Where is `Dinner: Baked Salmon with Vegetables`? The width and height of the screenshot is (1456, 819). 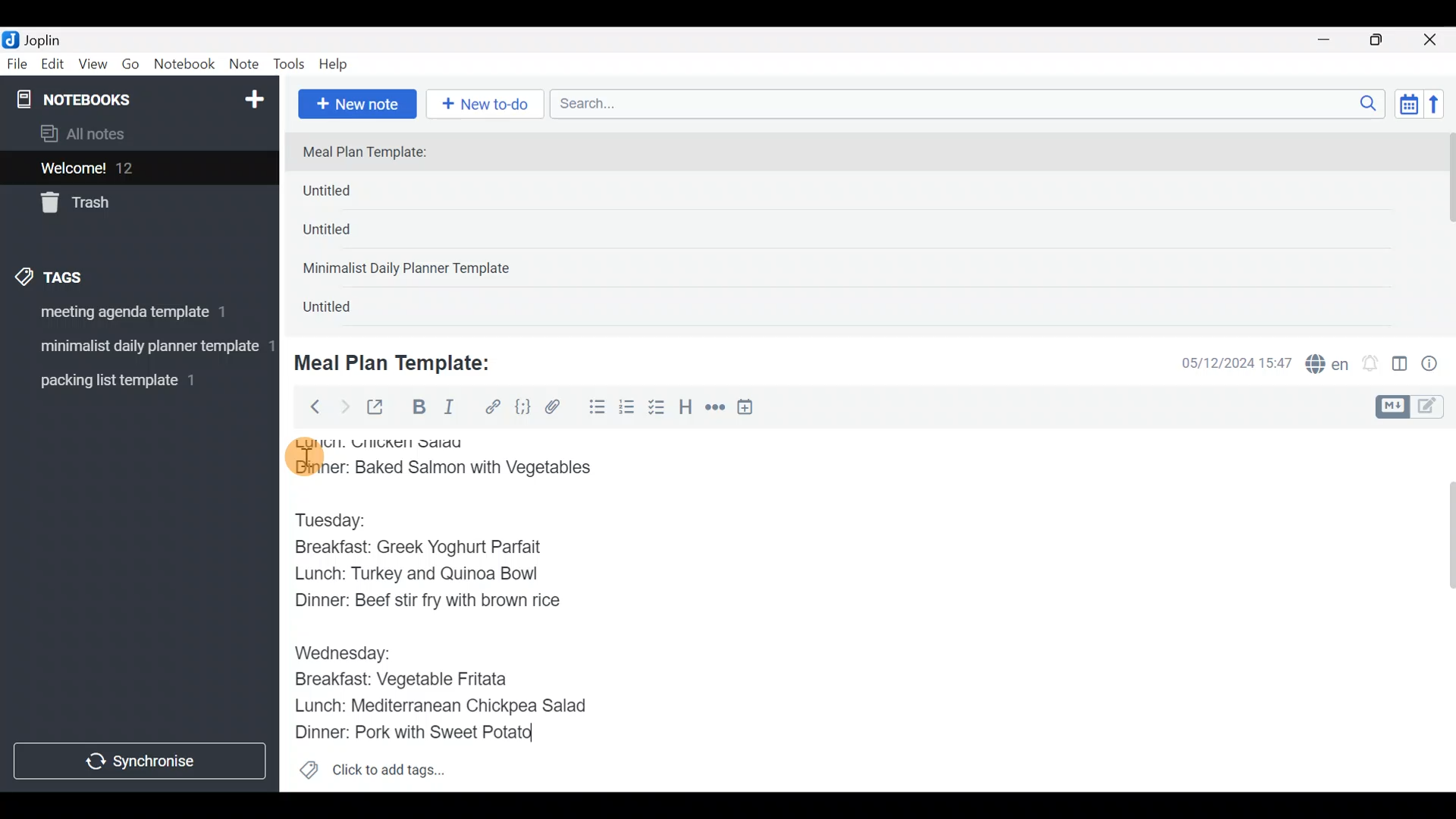
Dinner: Baked Salmon with Vegetables is located at coordinates (452, 469).